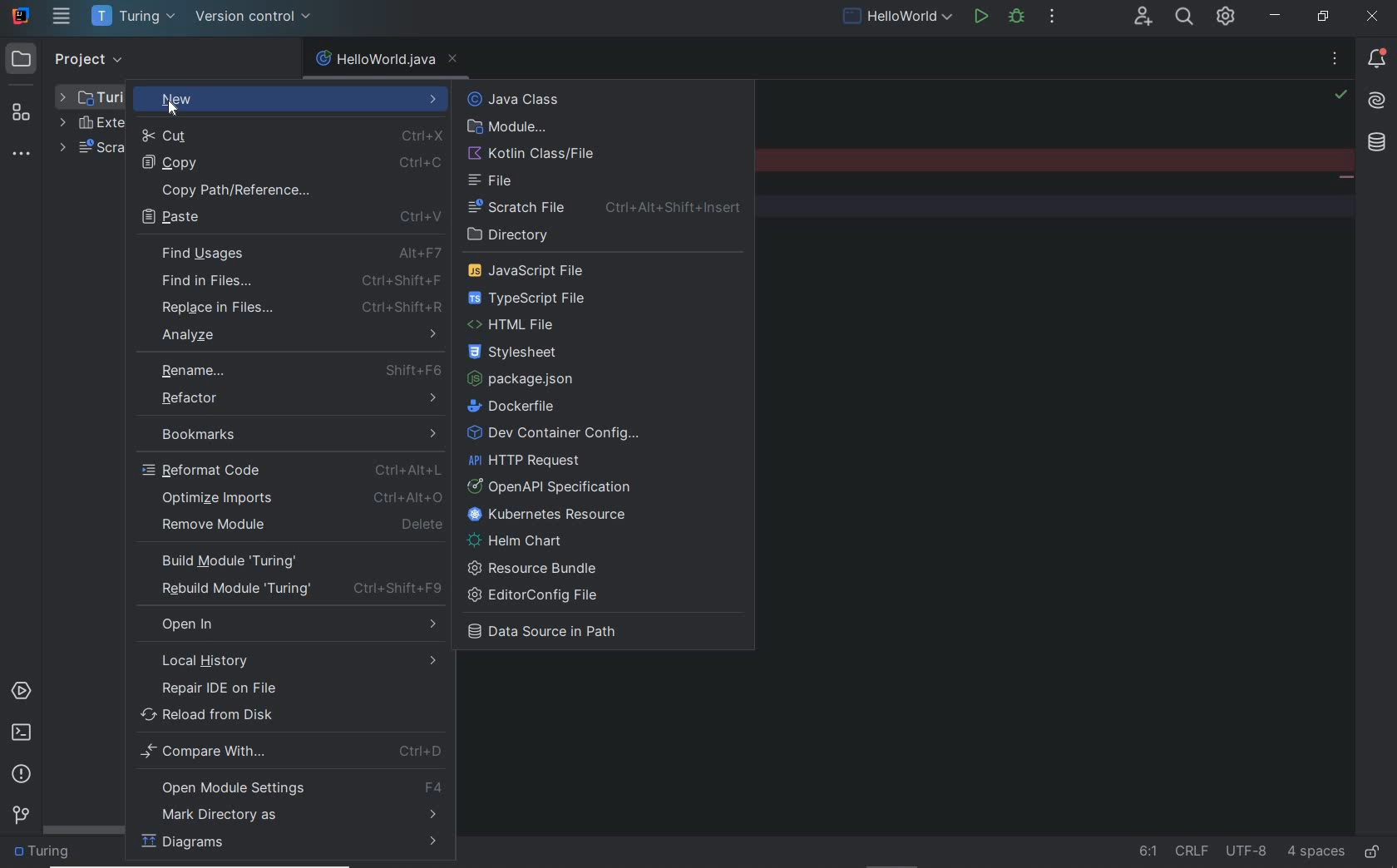  Describe the element at coordinates (300, 254) in the screenshot. I see `find usages` at that location.